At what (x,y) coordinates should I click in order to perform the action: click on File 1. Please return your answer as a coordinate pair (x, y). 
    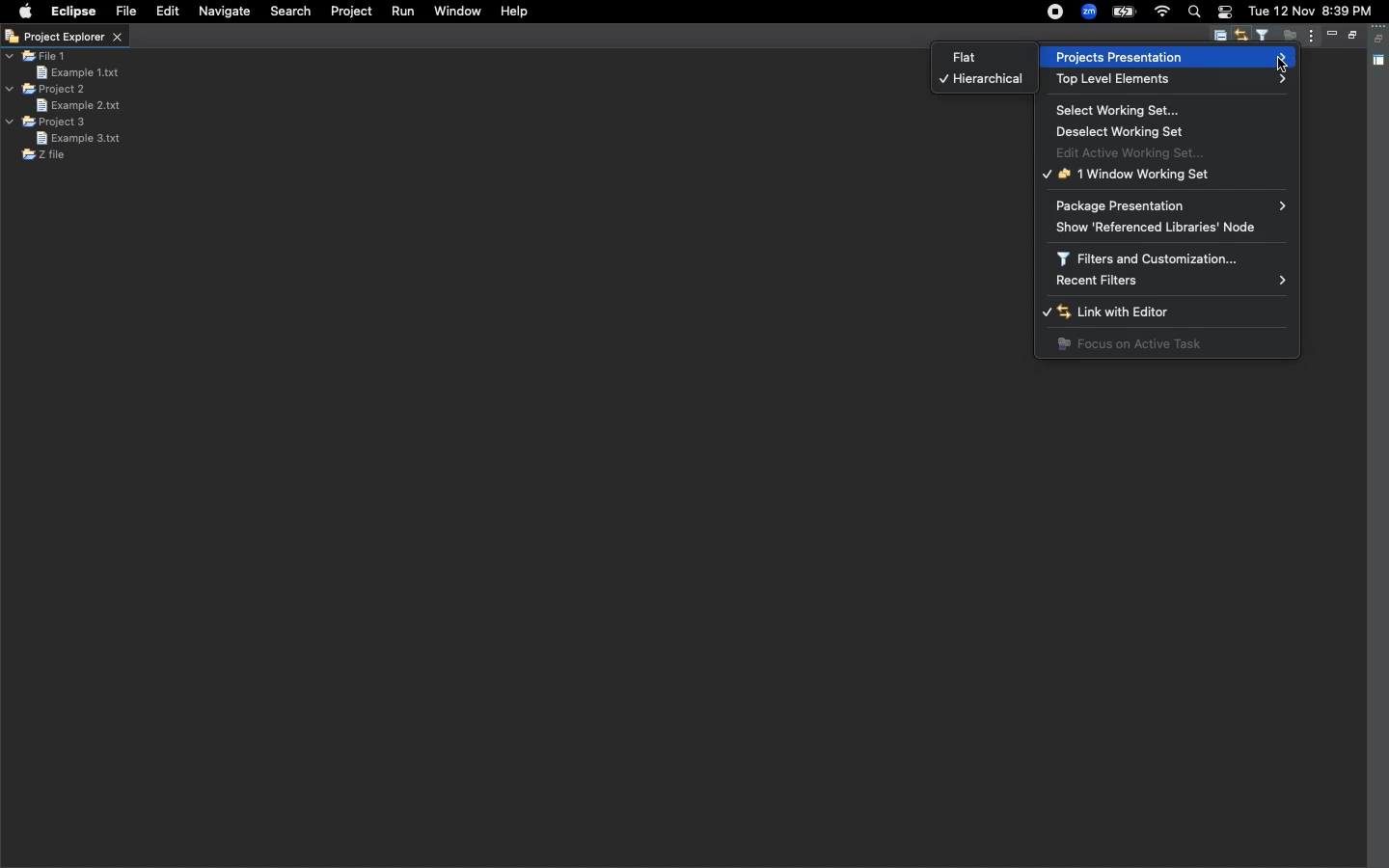
    Looking at the image, I should click on (38, 57).